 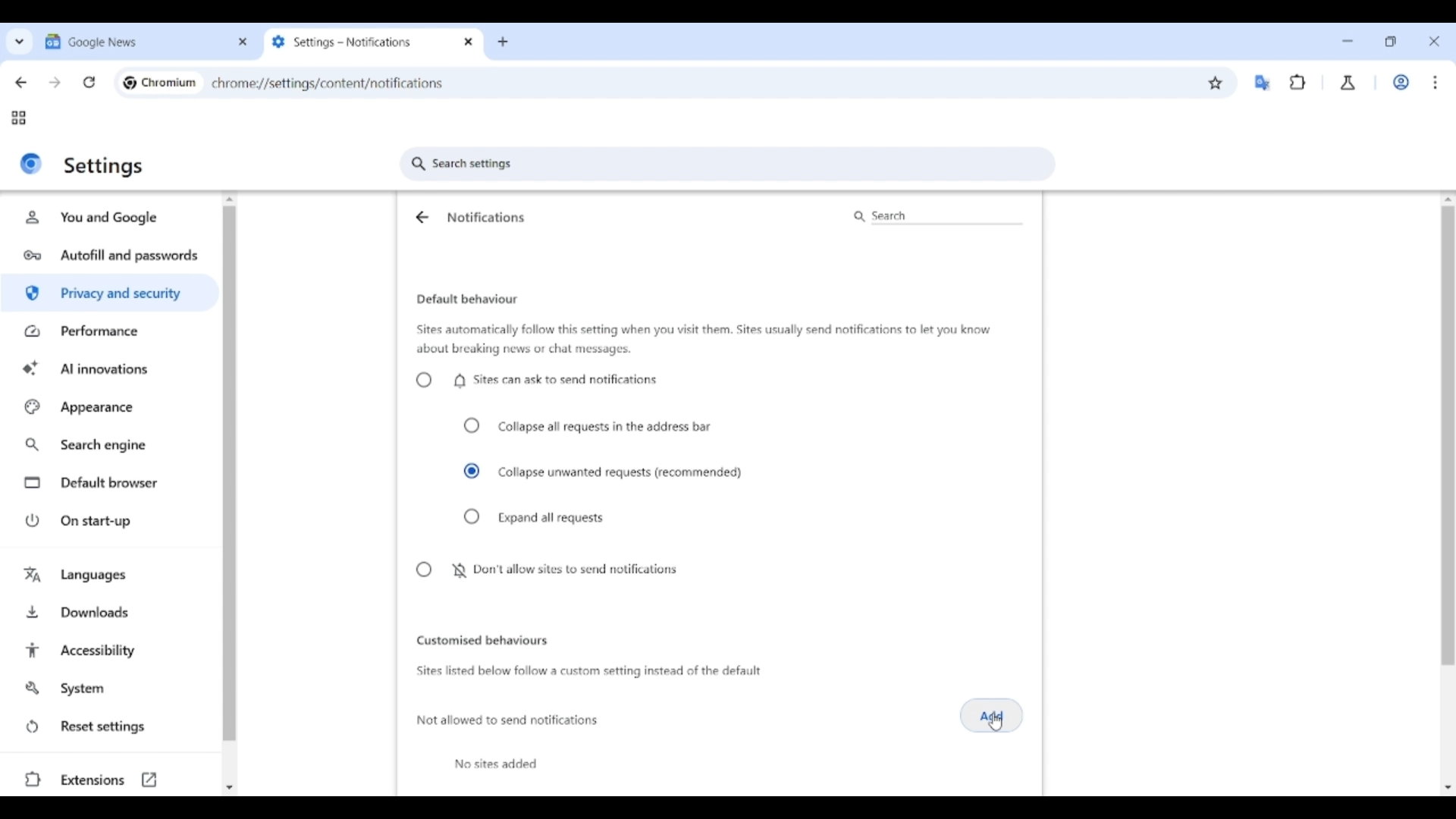 What do you see at coordinates (109, 331) in the screenshot?
I see `Performance ` at bounding box center [109, 331].